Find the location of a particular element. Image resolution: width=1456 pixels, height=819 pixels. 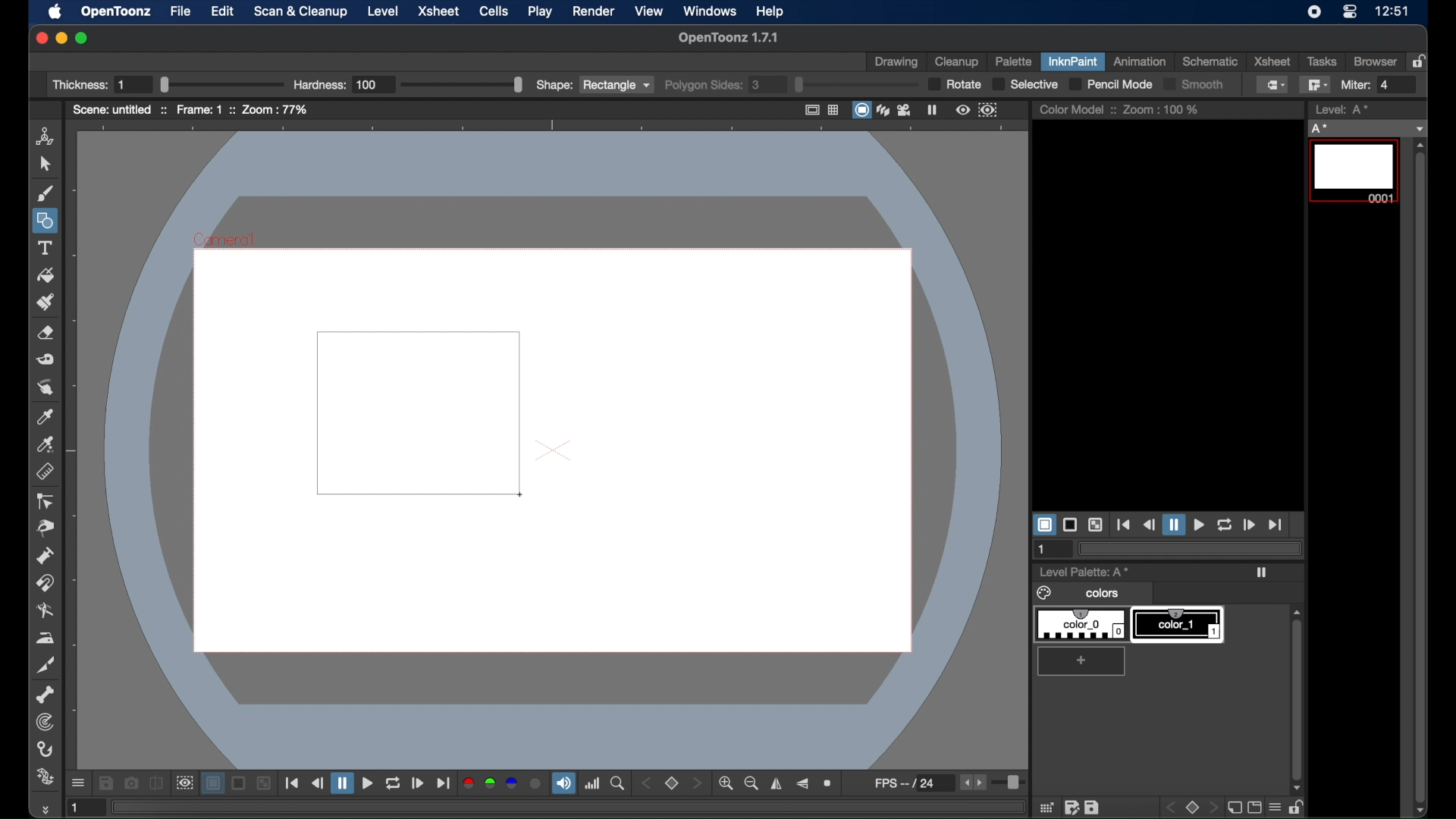

field guide is located at coordinates (834, 109).